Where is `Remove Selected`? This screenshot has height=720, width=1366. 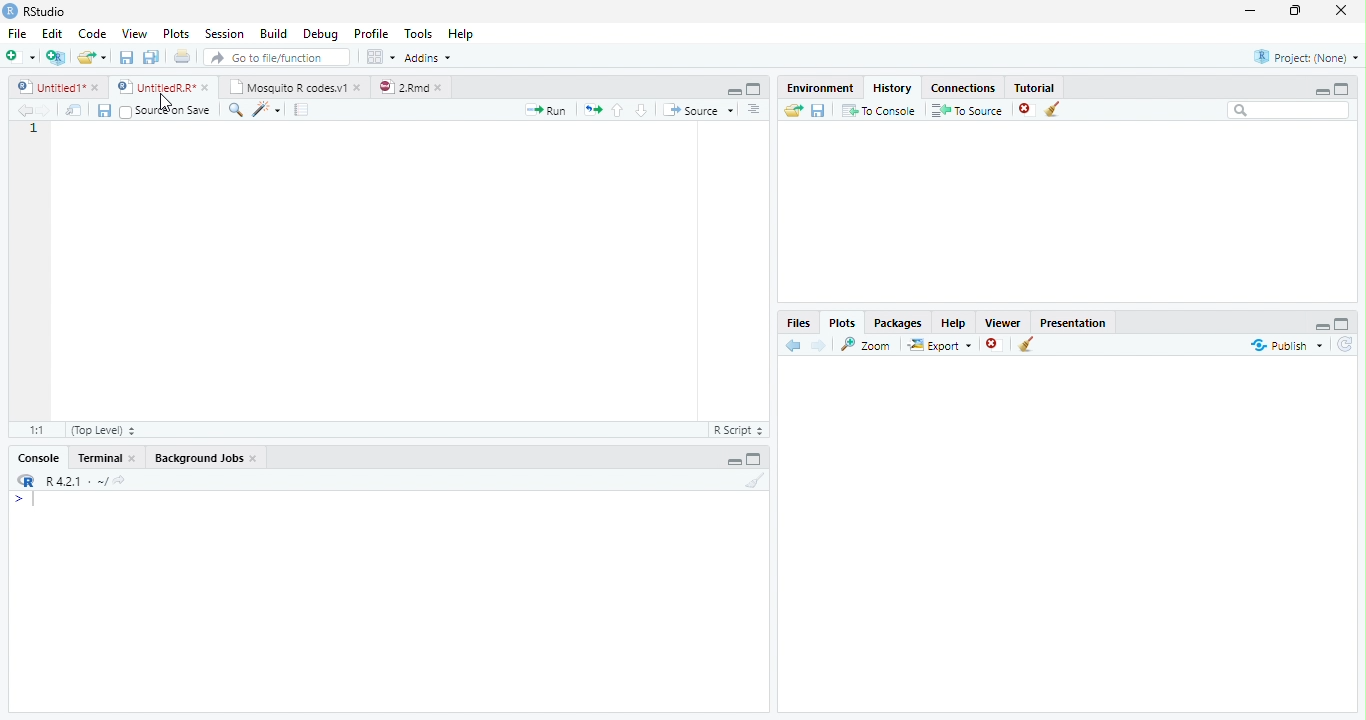 Remove Selected is located at coordinates (995, 346).